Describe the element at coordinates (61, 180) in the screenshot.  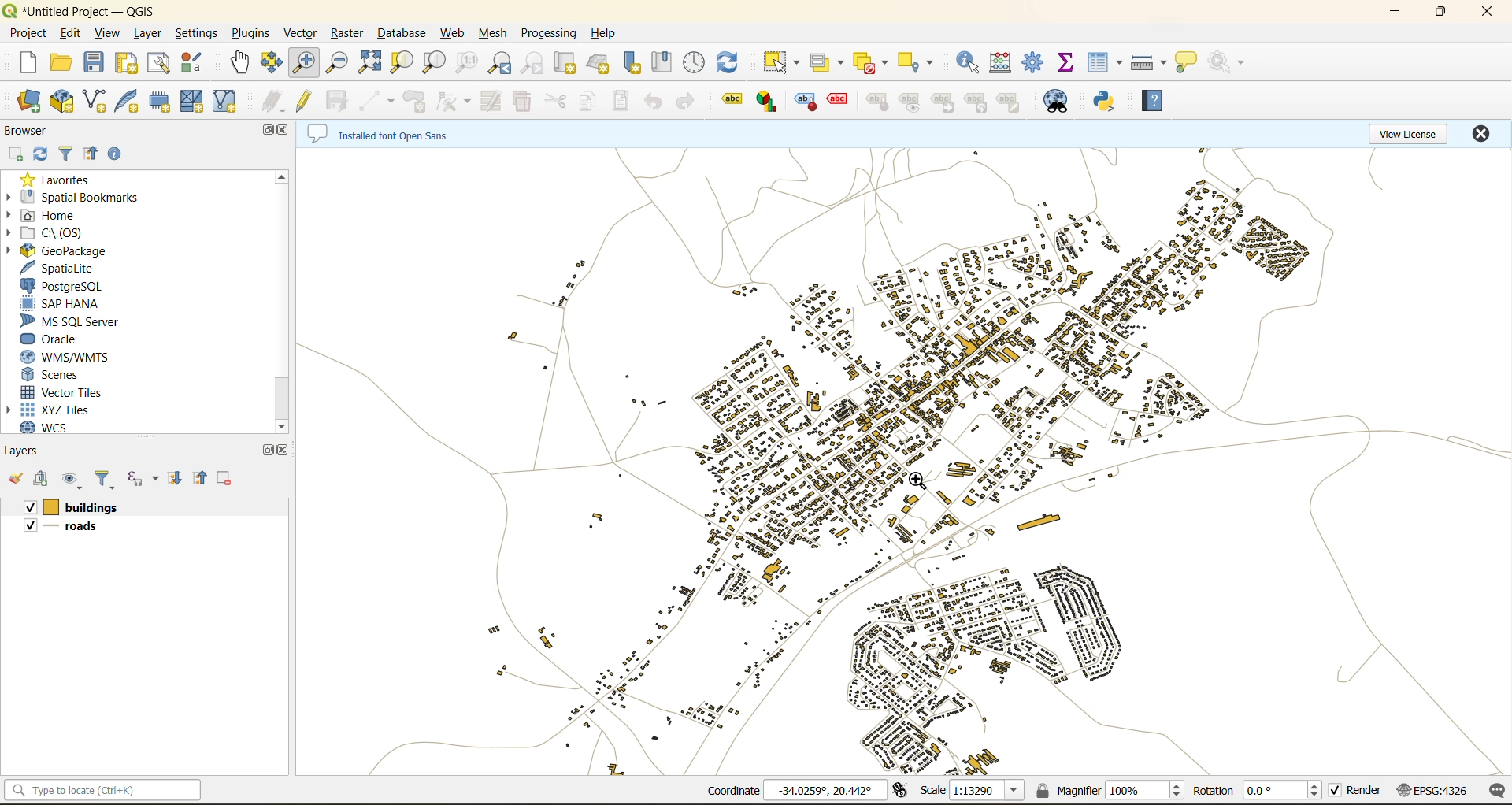
I see `favorites` at that location.